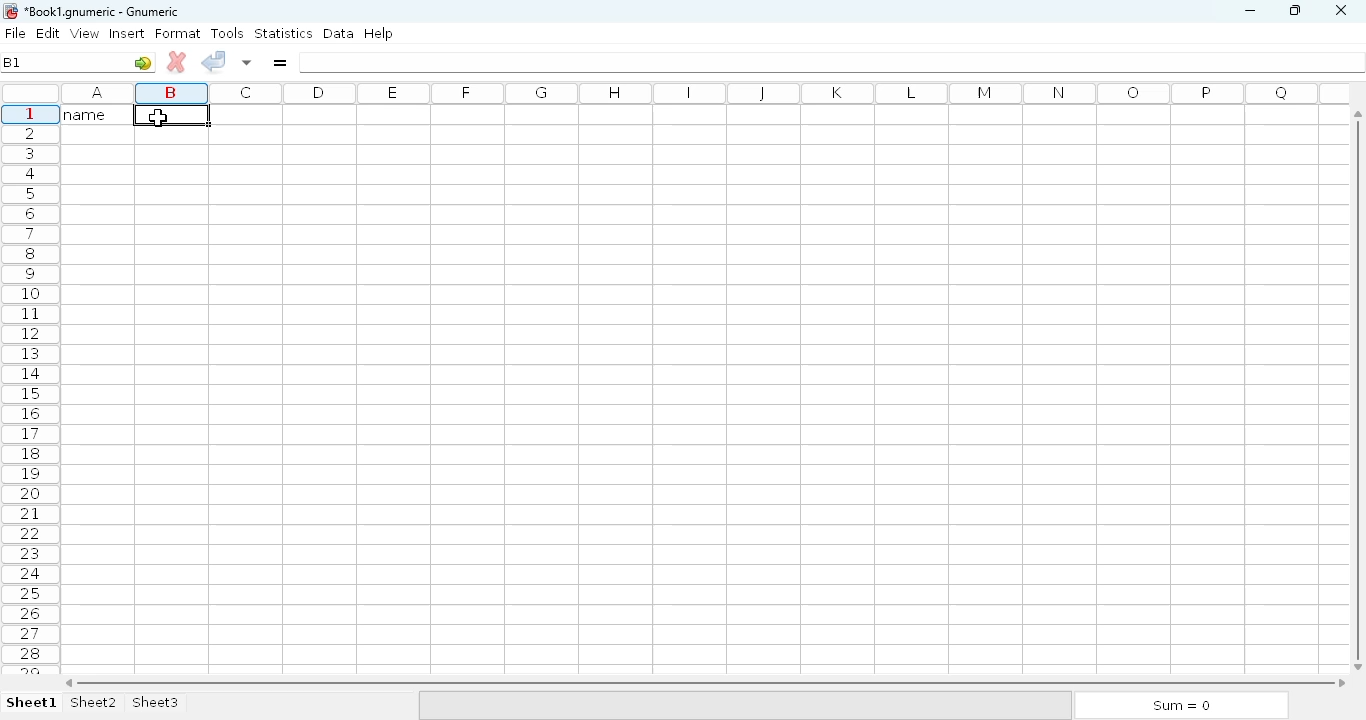 This screenshot has height=720, width=1366. Describe the element at coordinates (1179, 706) in the screenshot. I see `sum = 0` at that location.